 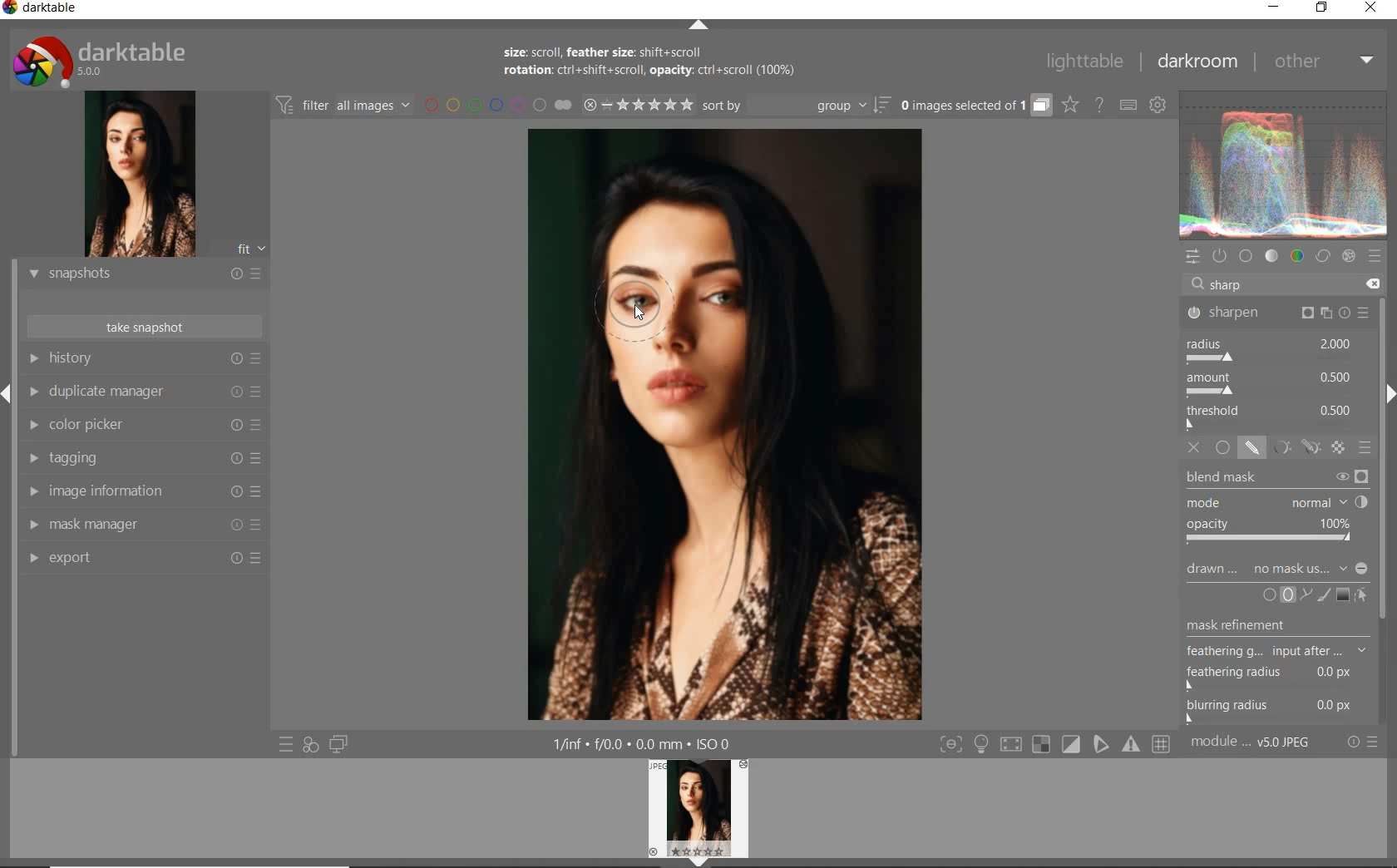 What do you see at coordinates (1323, 257) in the screenshot?
I see `correct` at bounding box center [1323, 257].